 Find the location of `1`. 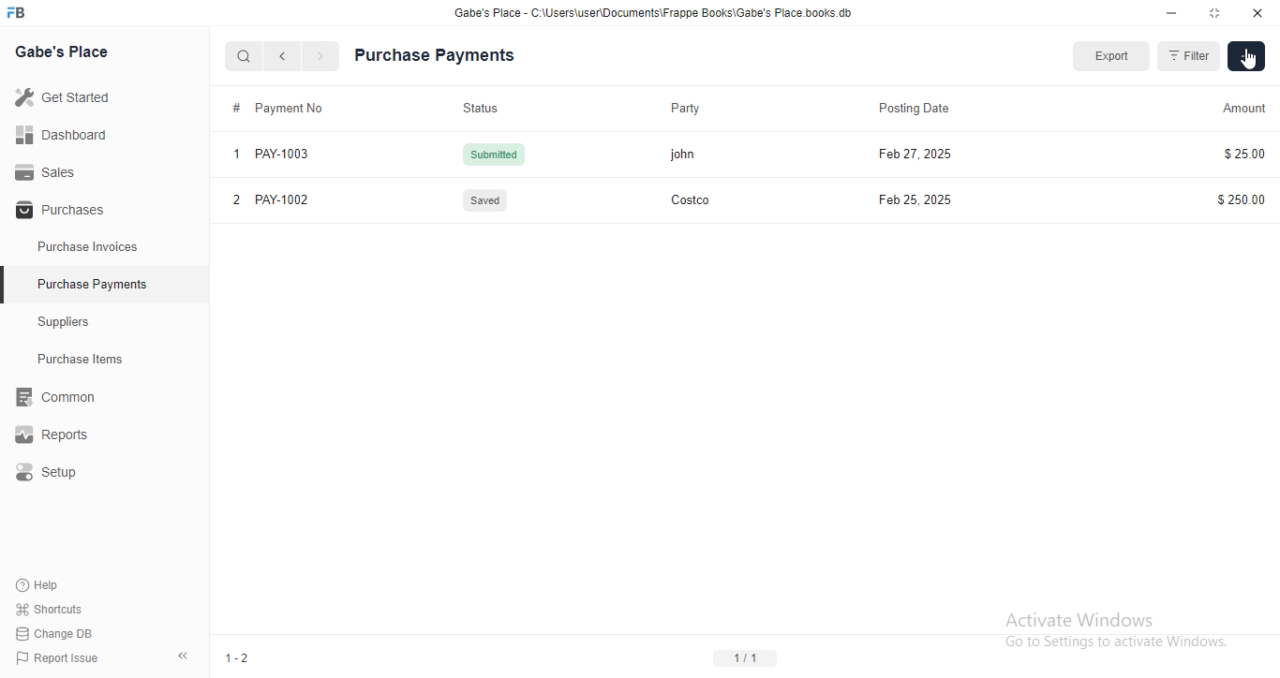

1 is located at coordinates (236, 154).